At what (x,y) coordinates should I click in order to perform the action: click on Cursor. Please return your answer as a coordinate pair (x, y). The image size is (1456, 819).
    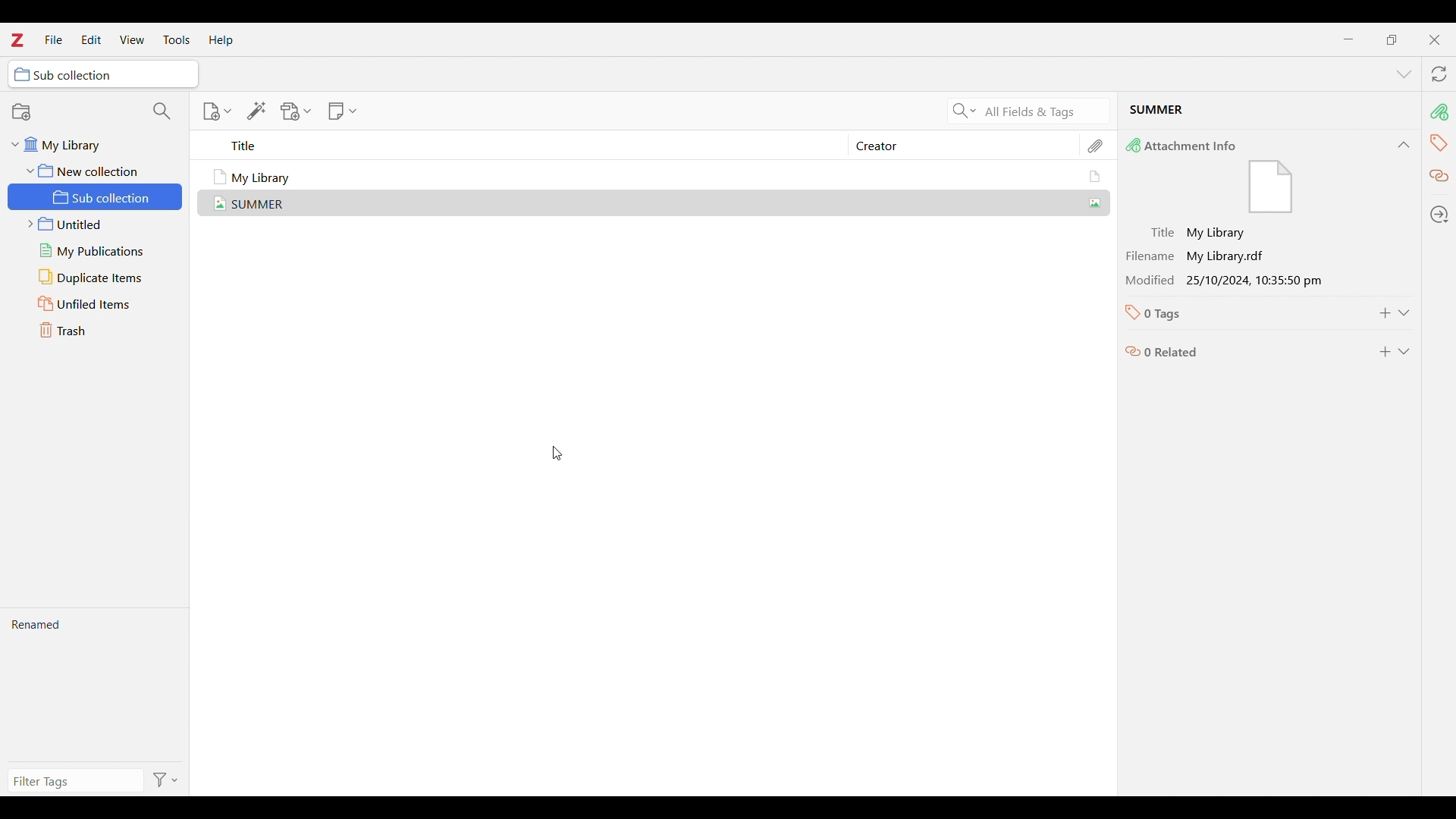
    Looking at the image, I should click on (557, 453).